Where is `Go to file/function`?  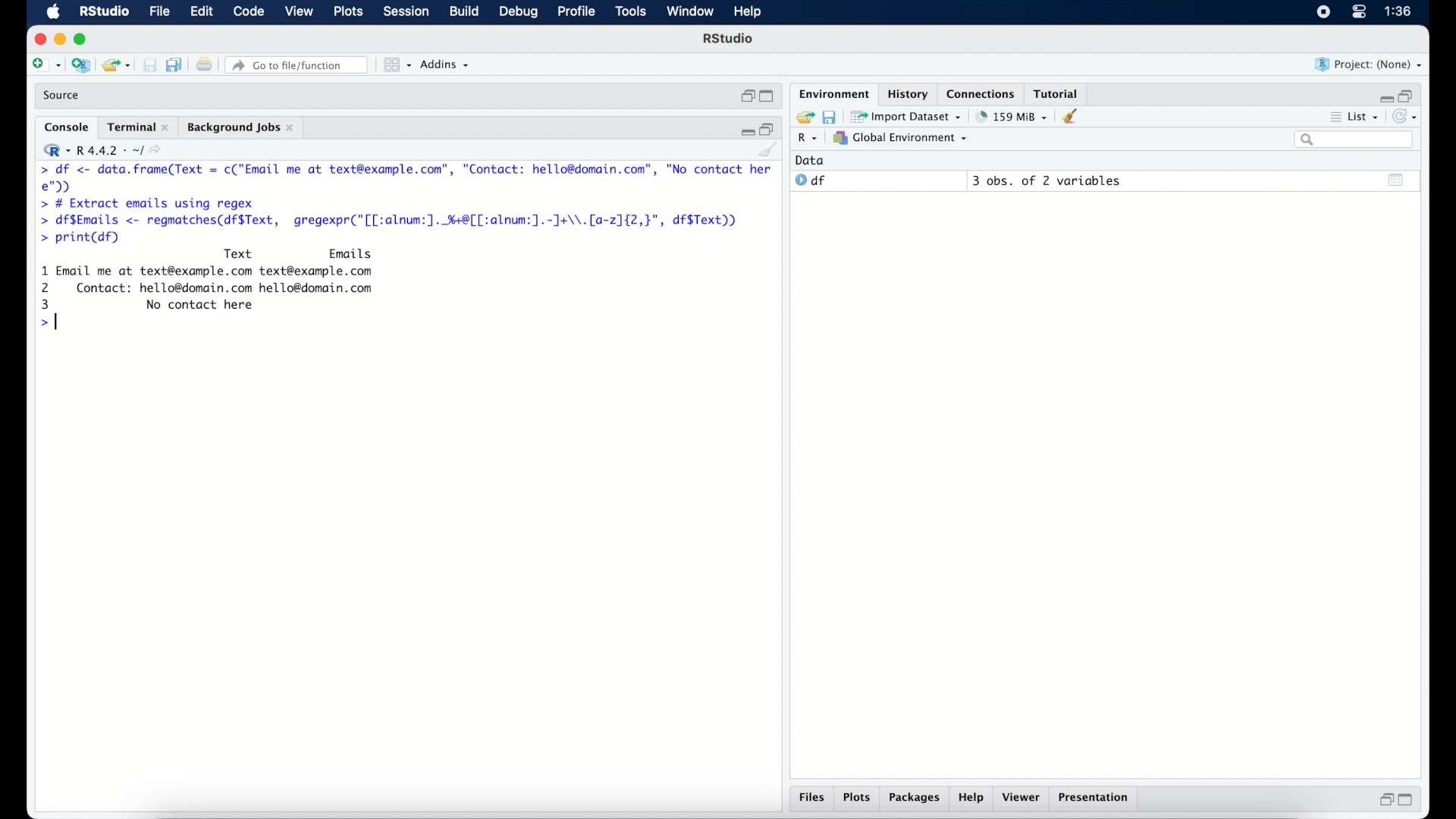 Go to file/function is located at coordinates (297, 64).